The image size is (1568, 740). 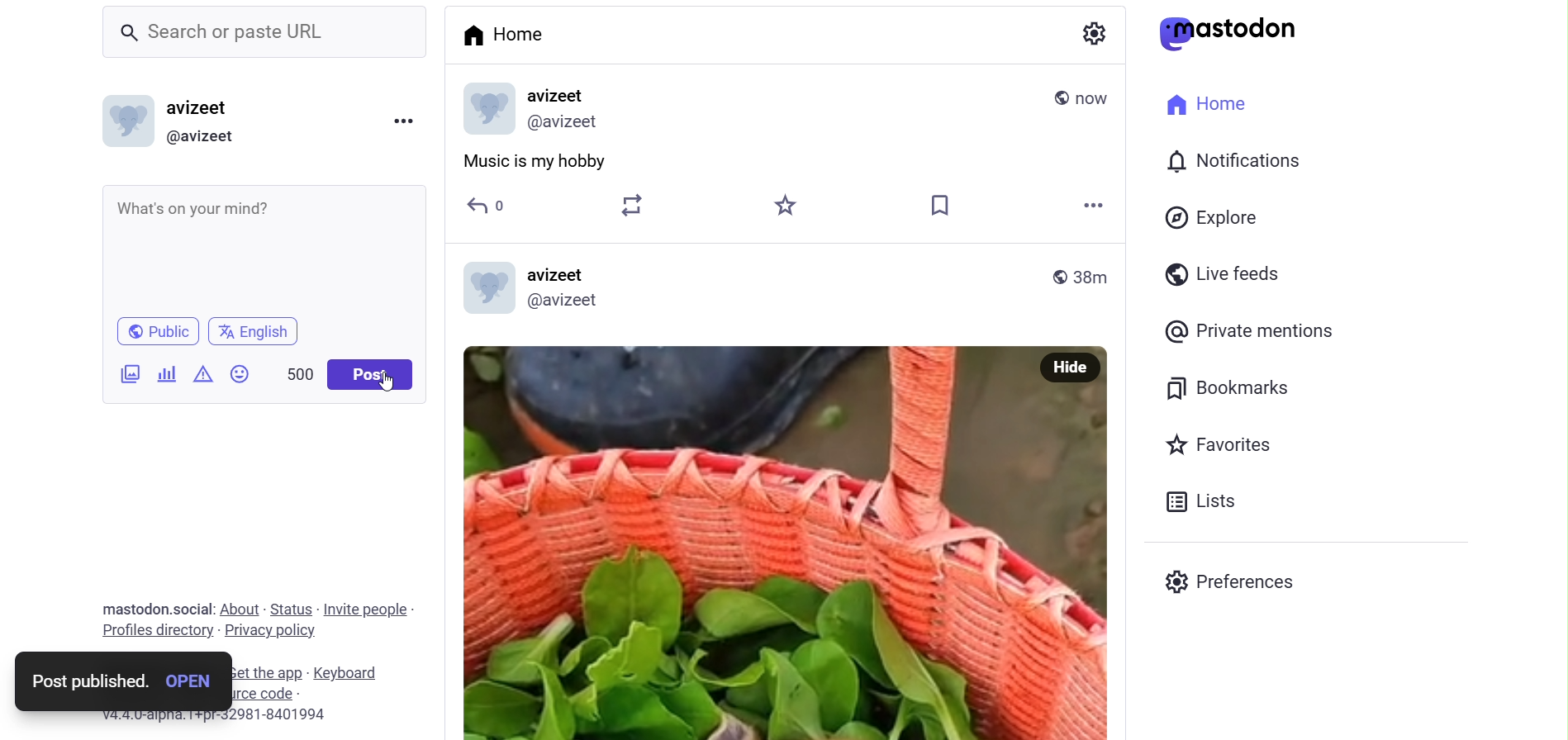 What do you see at coordinates (573, 305) in the screenshot?
I see `@avizeet` at bounding box center [573, 305].